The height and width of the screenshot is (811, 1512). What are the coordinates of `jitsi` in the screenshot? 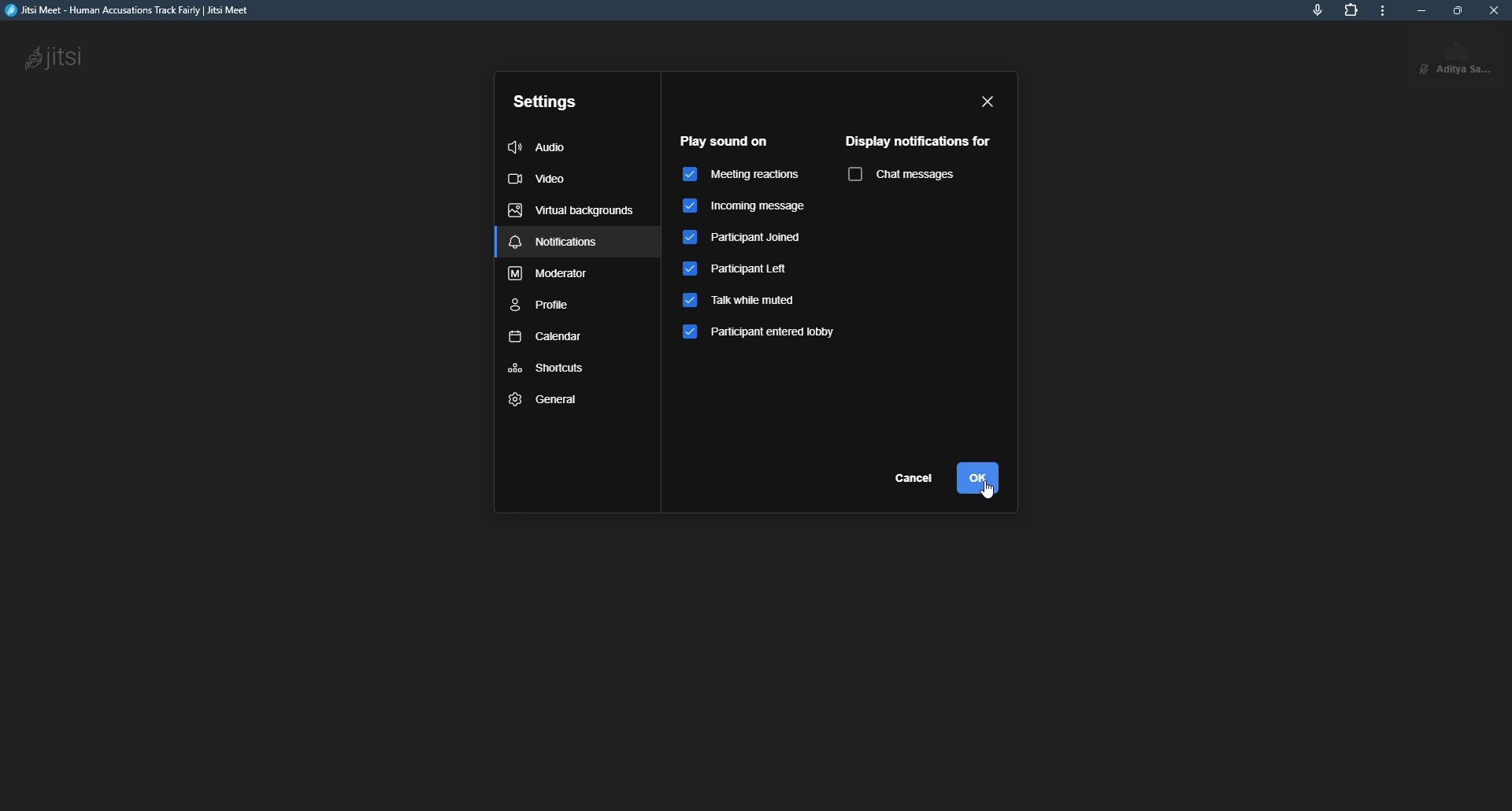 It's located at (135, 10).